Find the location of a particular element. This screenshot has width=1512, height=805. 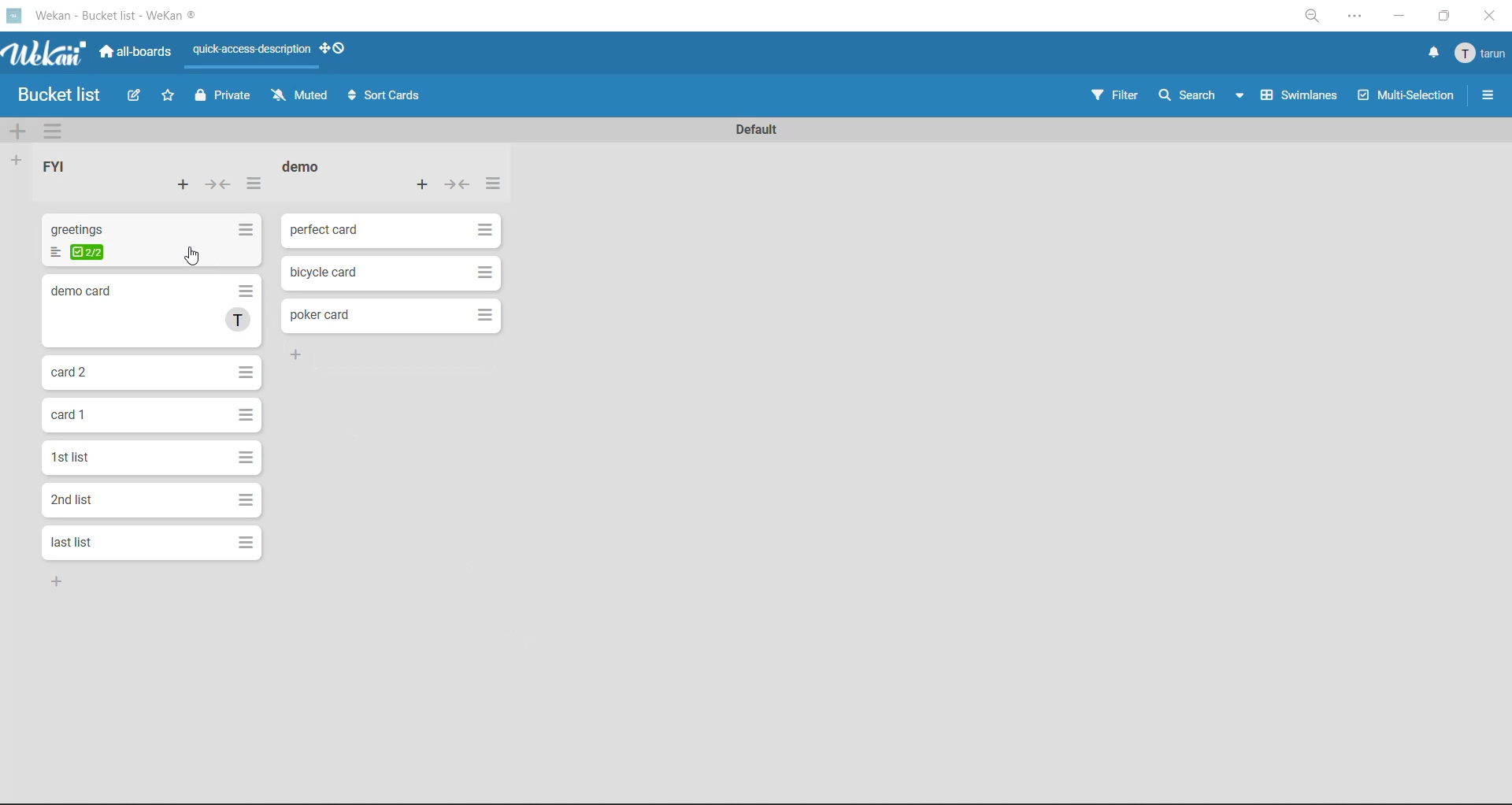

show desktop drag handles is located at coordinates (338, 46).